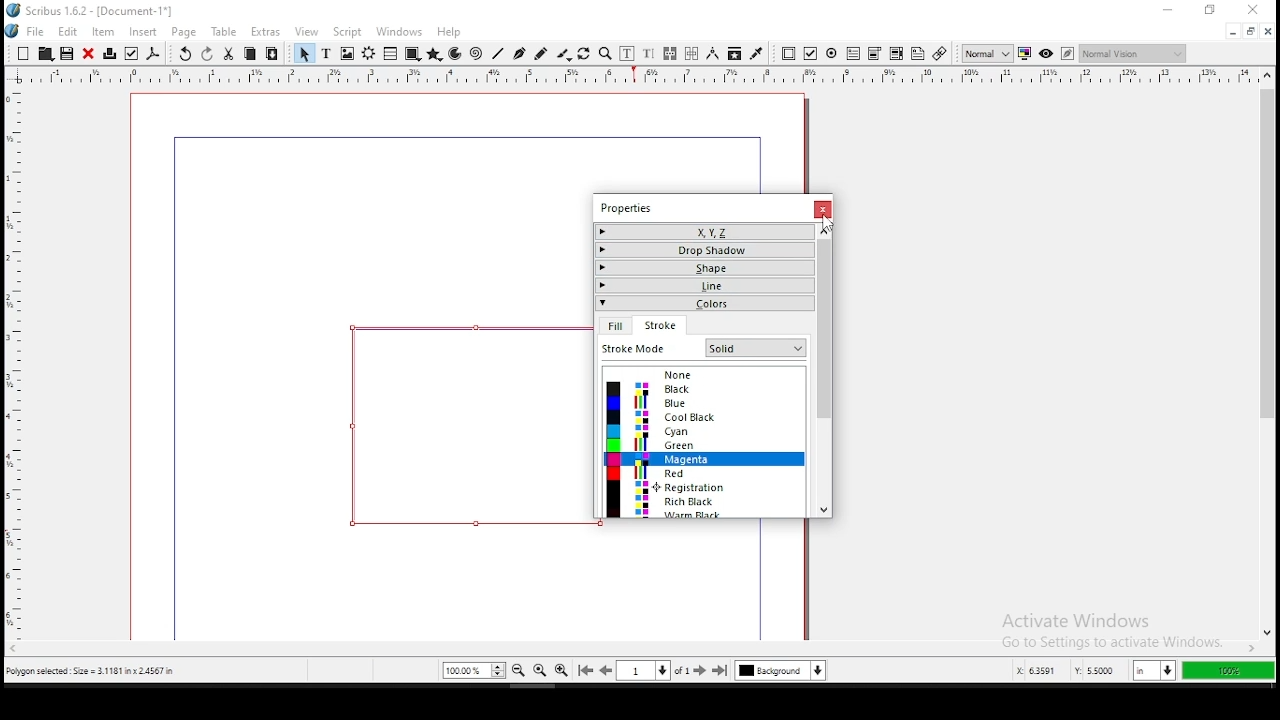  Describe the element at coordinates (831, 226) in the screenshot. I see `Cursor` at that location.